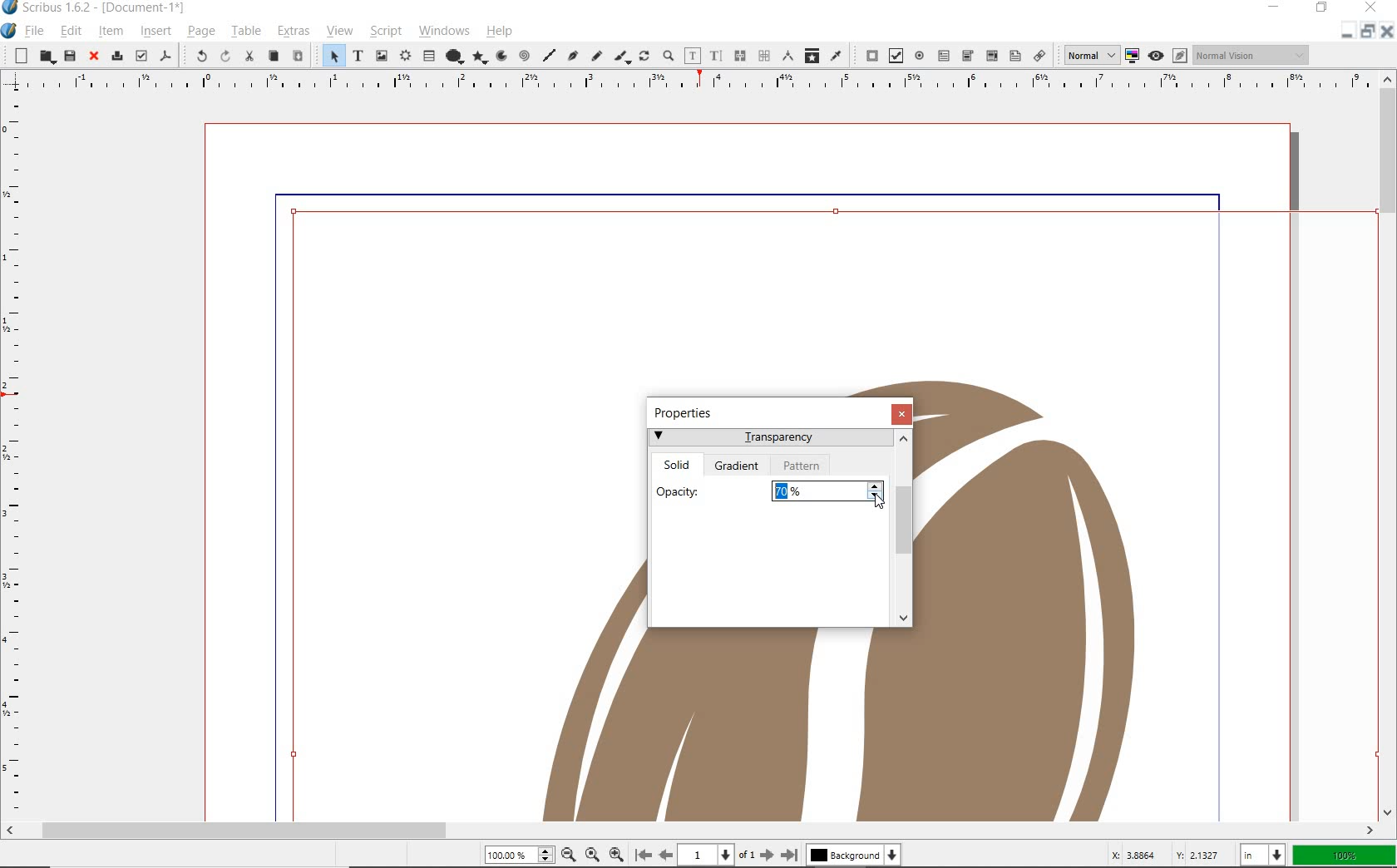 This screenshot has width=1397, height=868. Describe the element at coordinates (443, 30) in the screenshot. I see `windows` at that location.